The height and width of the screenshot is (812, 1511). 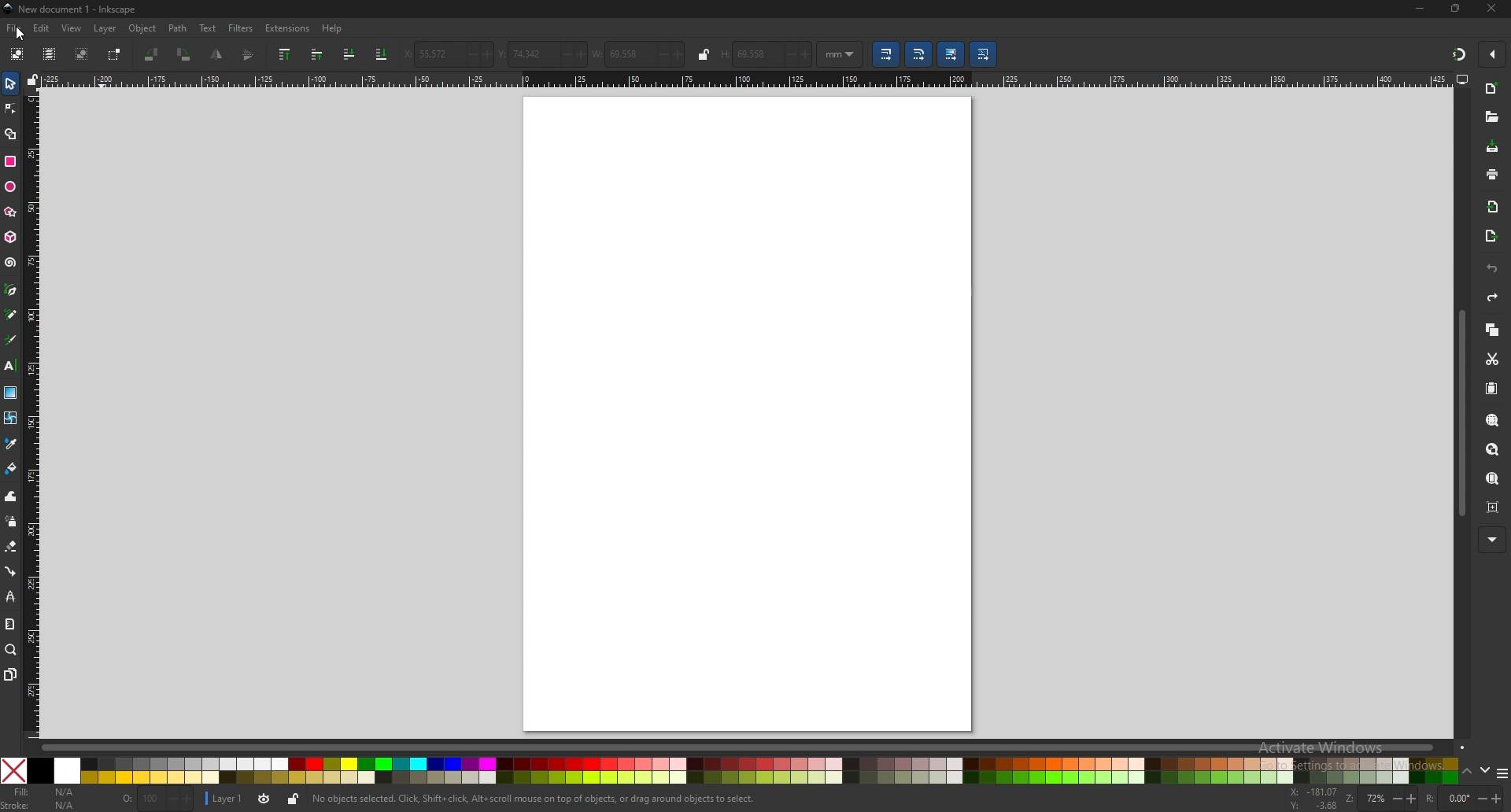 What do you see at coordinates (465, 54) in the screenshot?
I see `-` at bounding box center [465, 54].